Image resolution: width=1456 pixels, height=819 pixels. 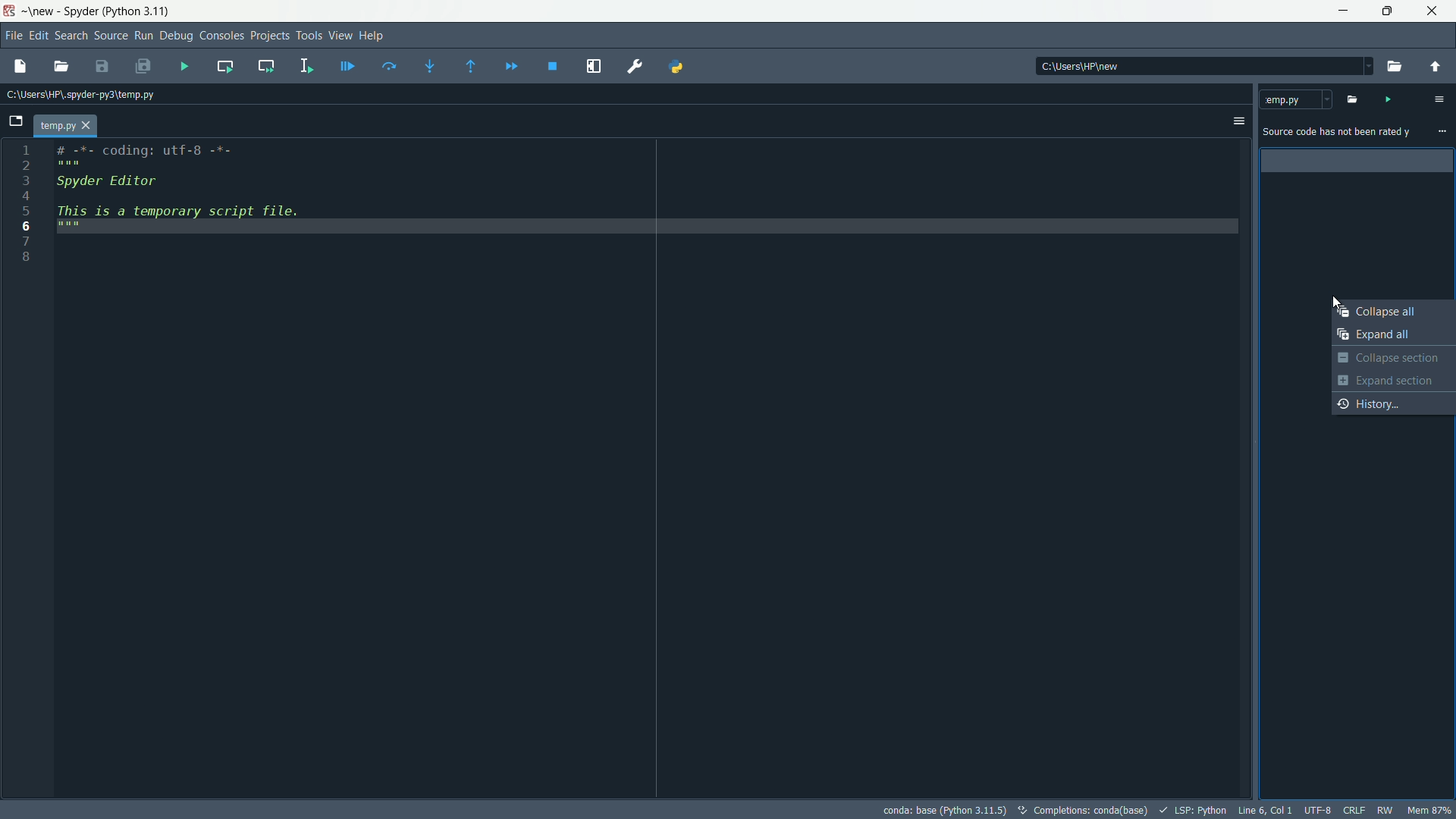 I want to click on minimize, so click(x=1345, y=11).